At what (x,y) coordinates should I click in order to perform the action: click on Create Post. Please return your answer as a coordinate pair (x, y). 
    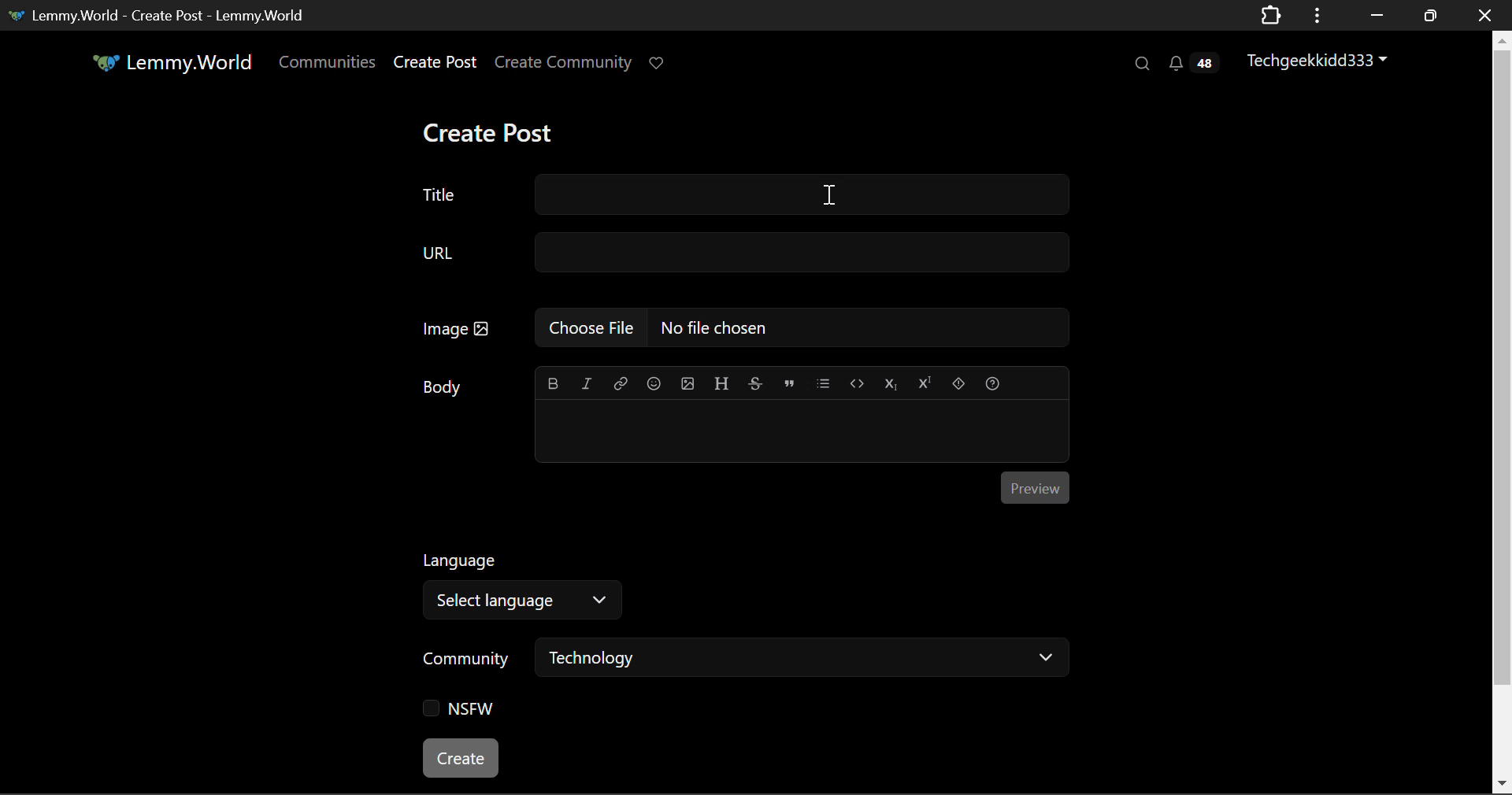
    Looking at the image, I should click on (434, 65).